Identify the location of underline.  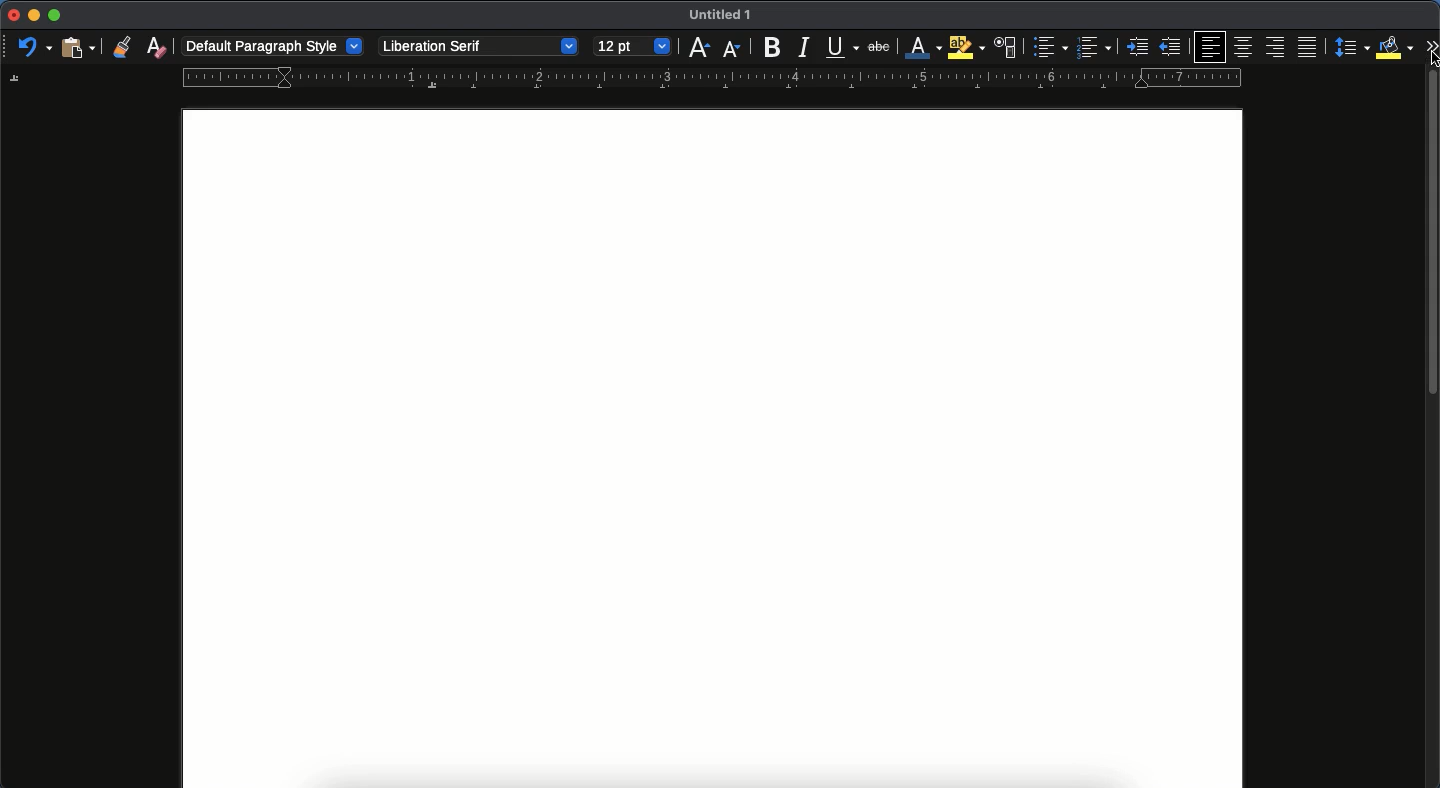
(842, 49).